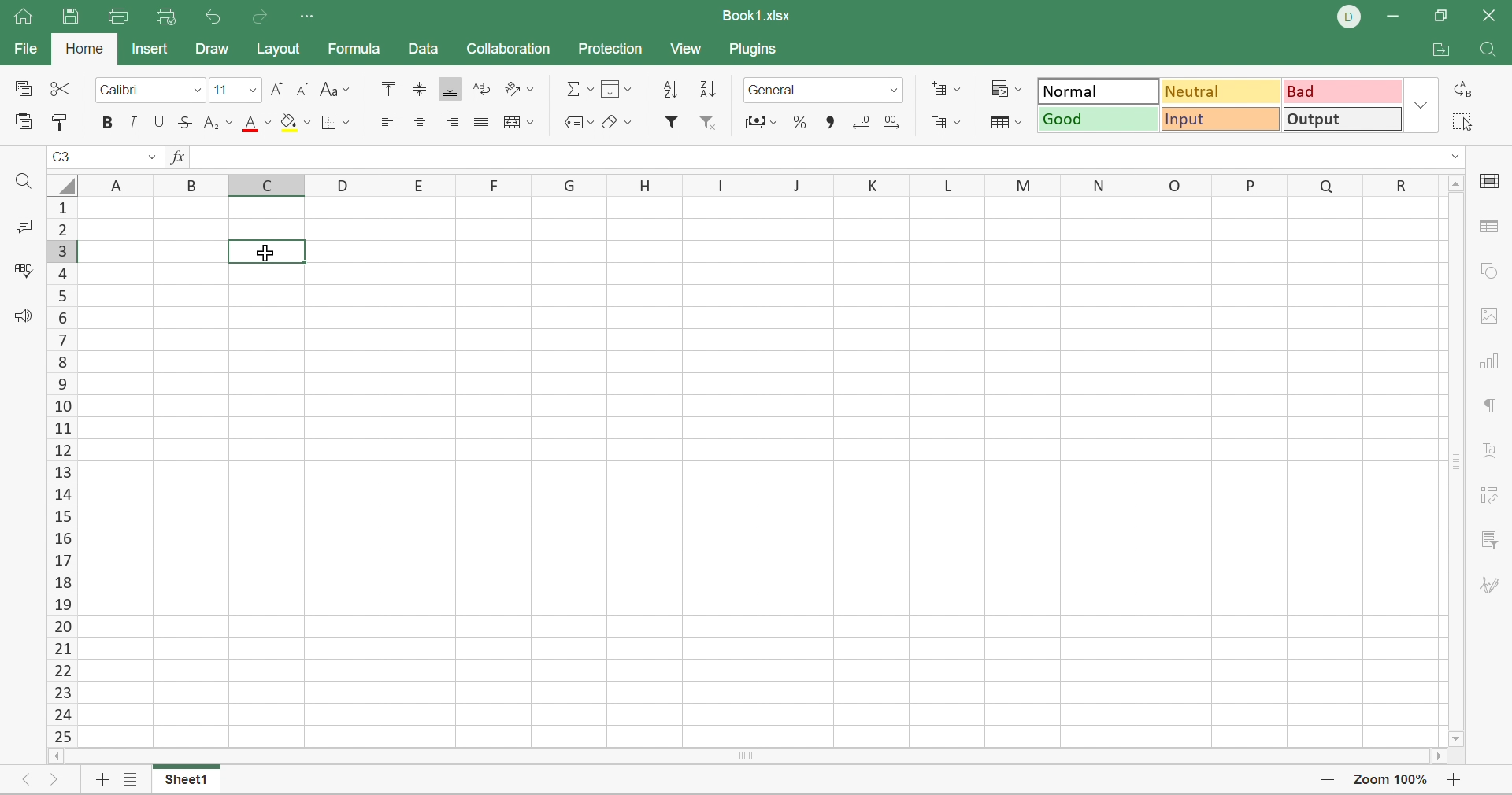 The width and height of the screenshot is (1512, 795). Describe the element at coordinates (829, 120) in the screenshot. I see `Comma style` at that location.